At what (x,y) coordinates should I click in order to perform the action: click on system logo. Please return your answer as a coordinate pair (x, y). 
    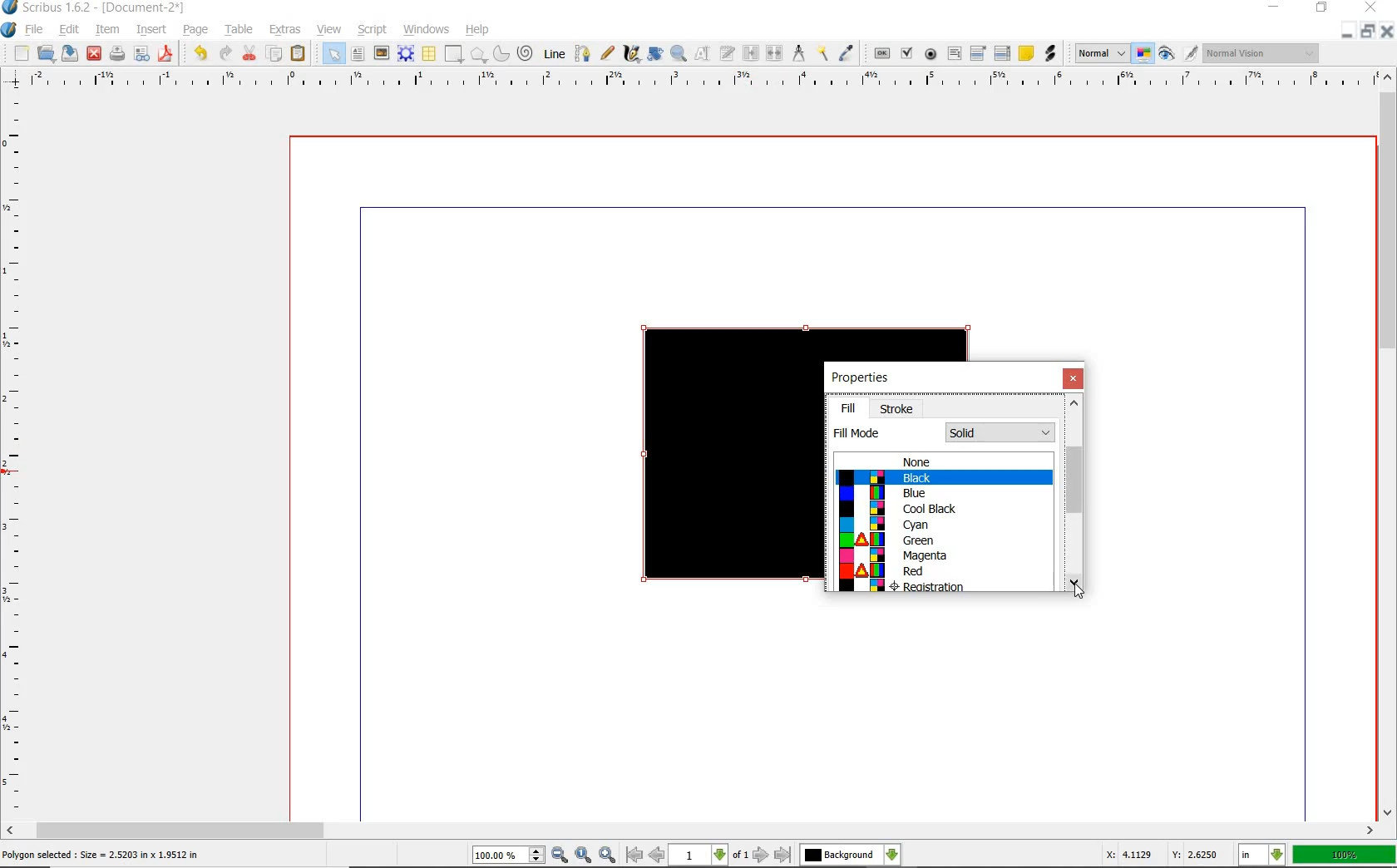
    Looking at the image, I should click on (10, 31).